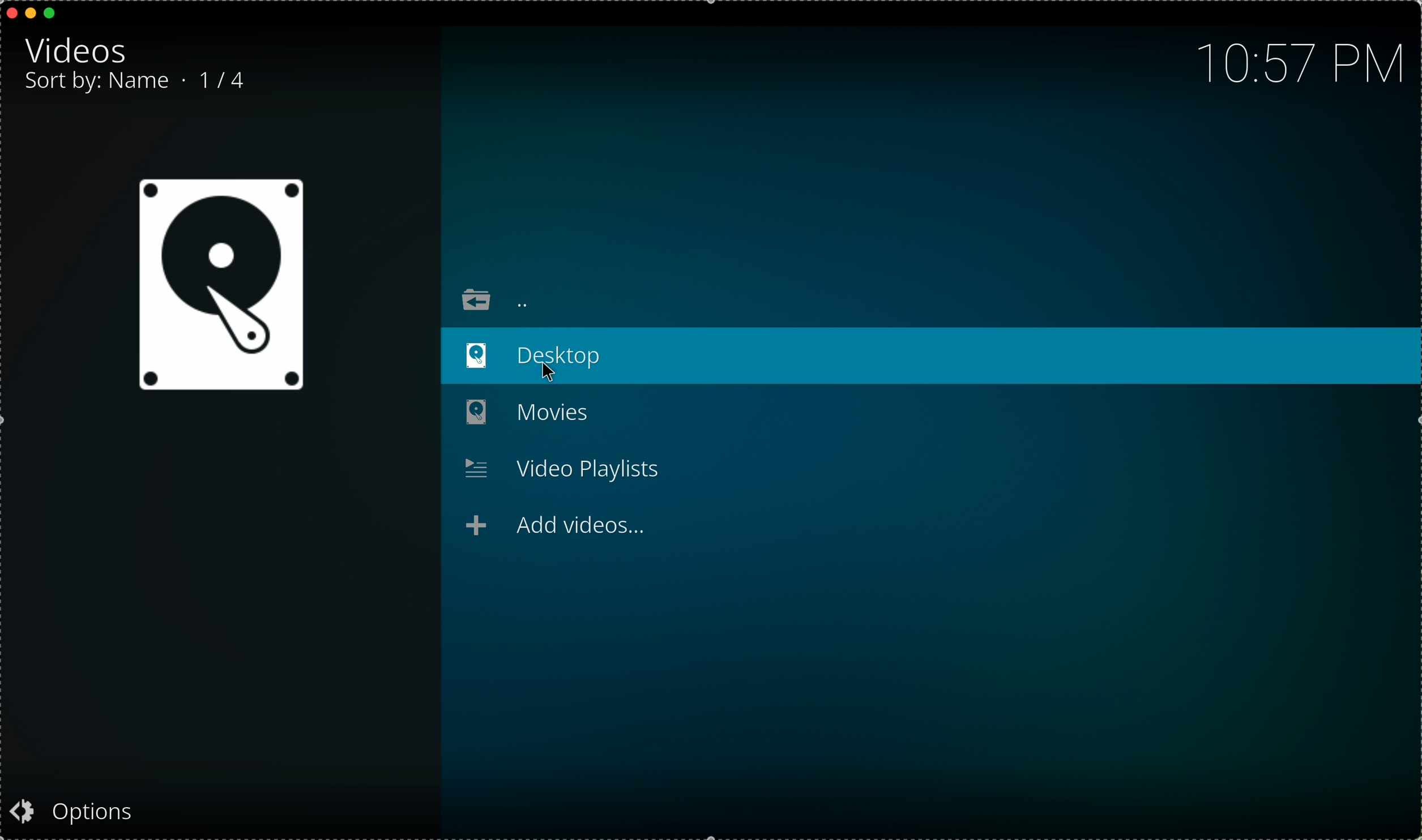  What do you see at coordinates (548, 371) in the screenshot?
I see `Cursor` at bounding box center [548, 371].